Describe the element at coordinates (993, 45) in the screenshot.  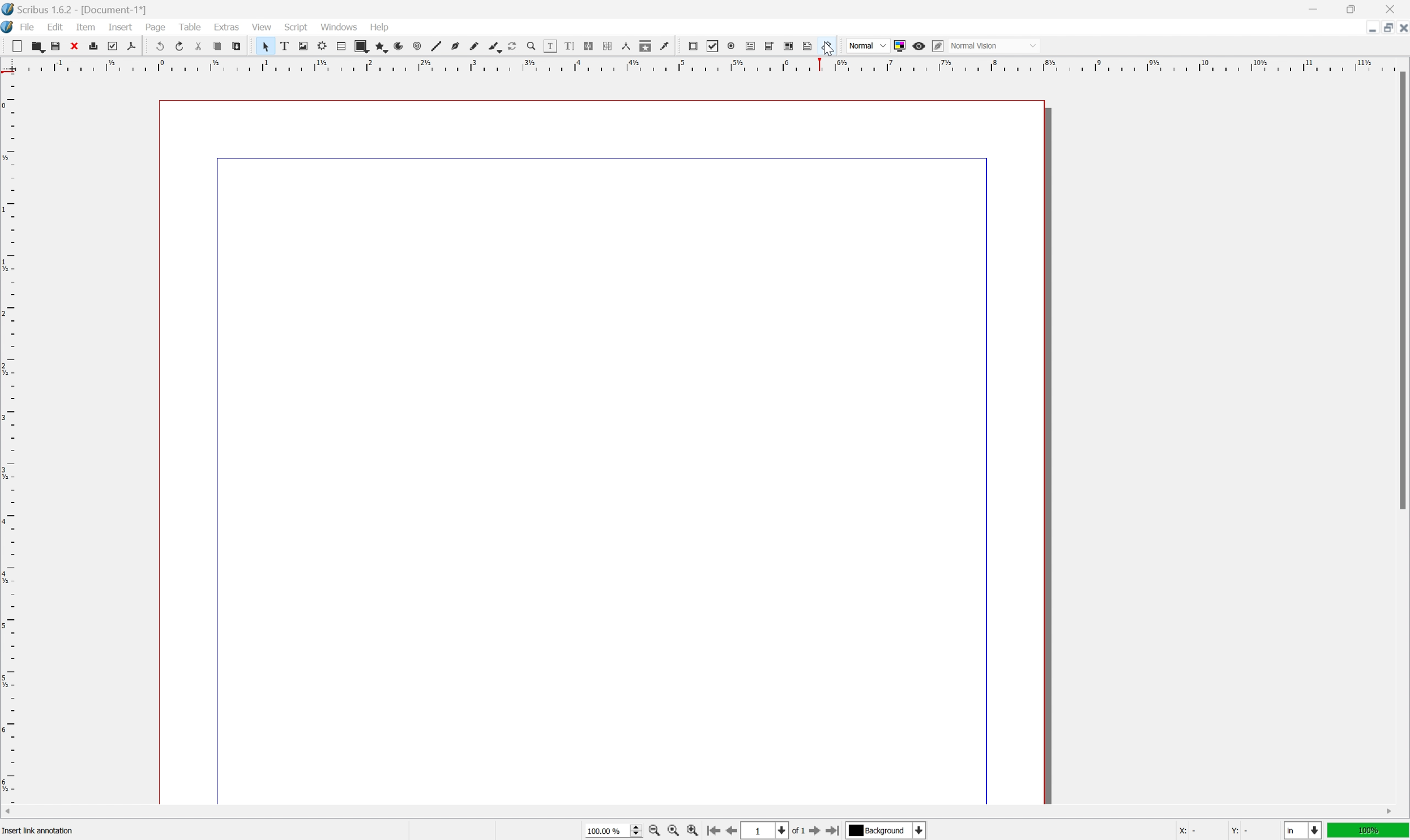
I see `normal vision` at that location.